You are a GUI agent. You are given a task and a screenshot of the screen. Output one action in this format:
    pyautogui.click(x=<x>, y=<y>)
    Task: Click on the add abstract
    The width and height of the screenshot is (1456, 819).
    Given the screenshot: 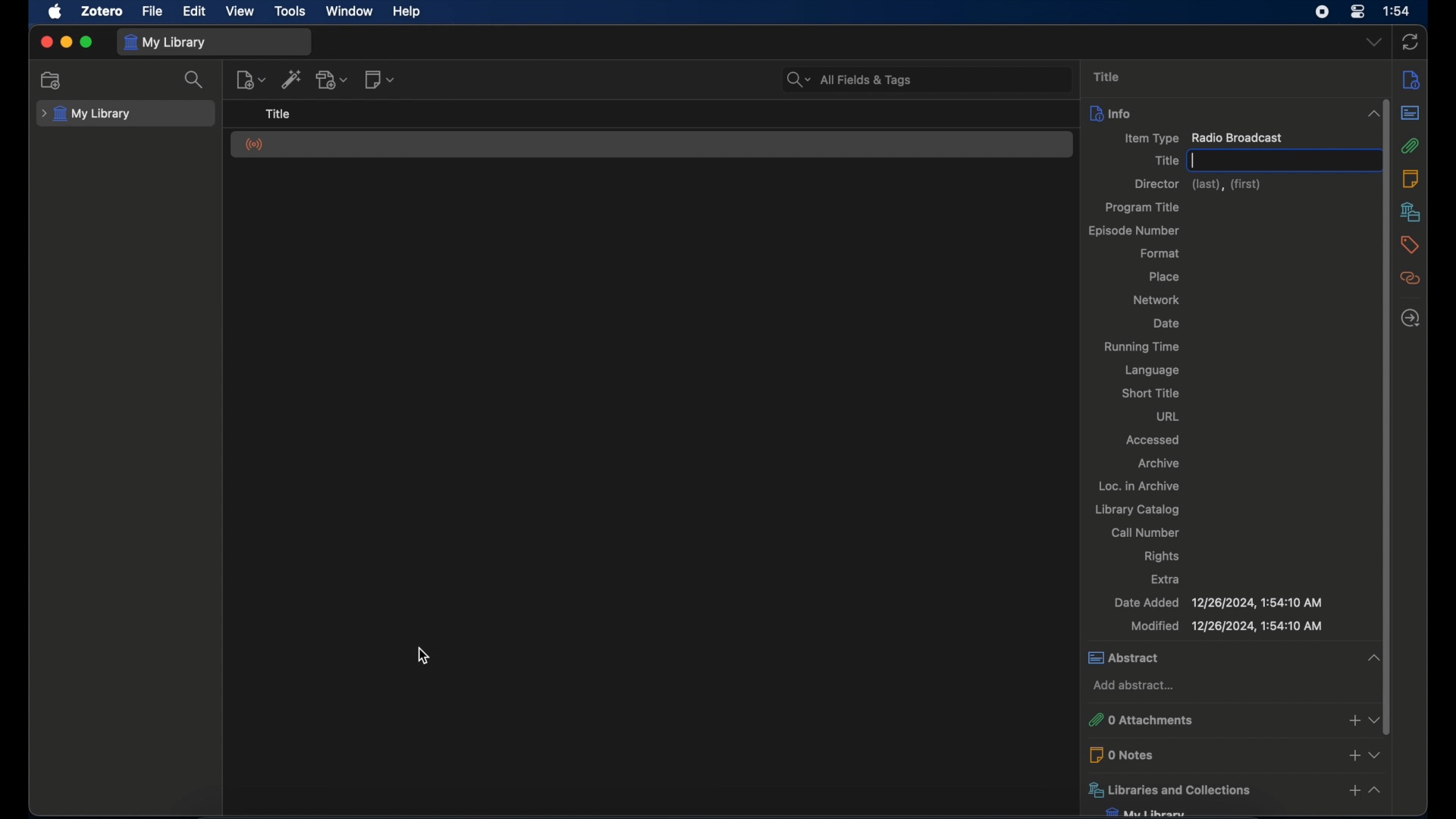 What is the action you would take?
    pyautogui.click(x=1137, y=686)
    